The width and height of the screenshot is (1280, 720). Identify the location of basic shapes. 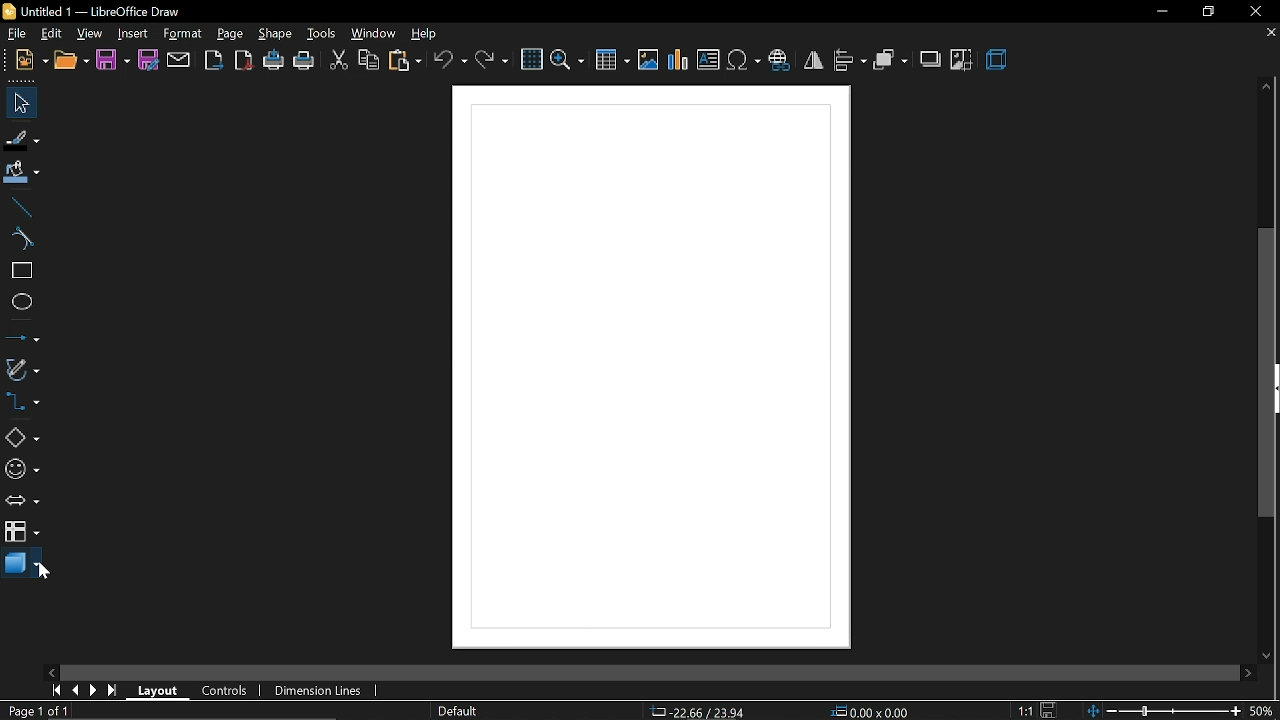
(23, 439).